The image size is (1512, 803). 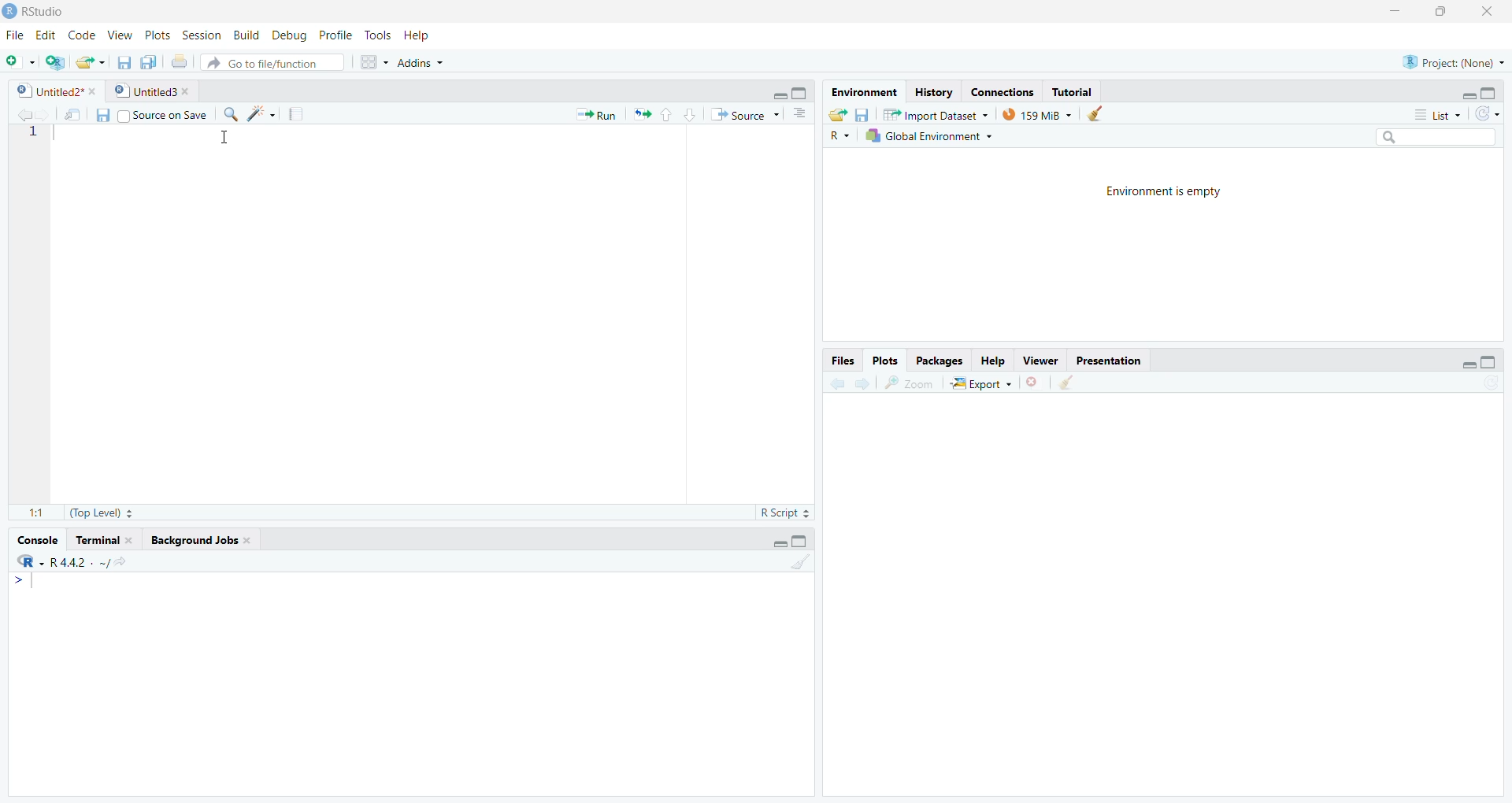 I want to click on Clean, so click(x=1067, y=383).